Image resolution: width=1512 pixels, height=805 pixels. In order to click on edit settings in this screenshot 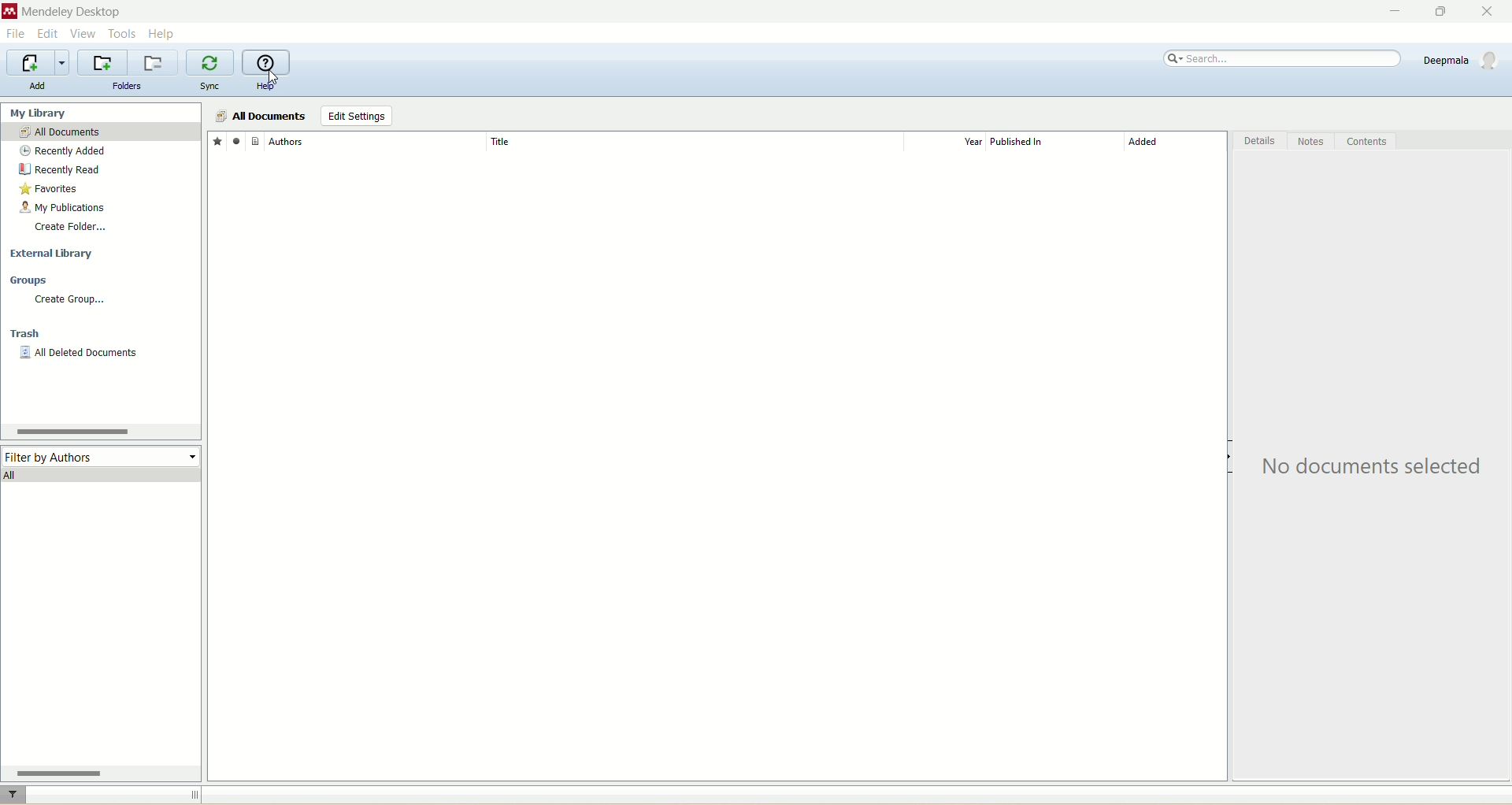, I will do `click(356, 115)`.